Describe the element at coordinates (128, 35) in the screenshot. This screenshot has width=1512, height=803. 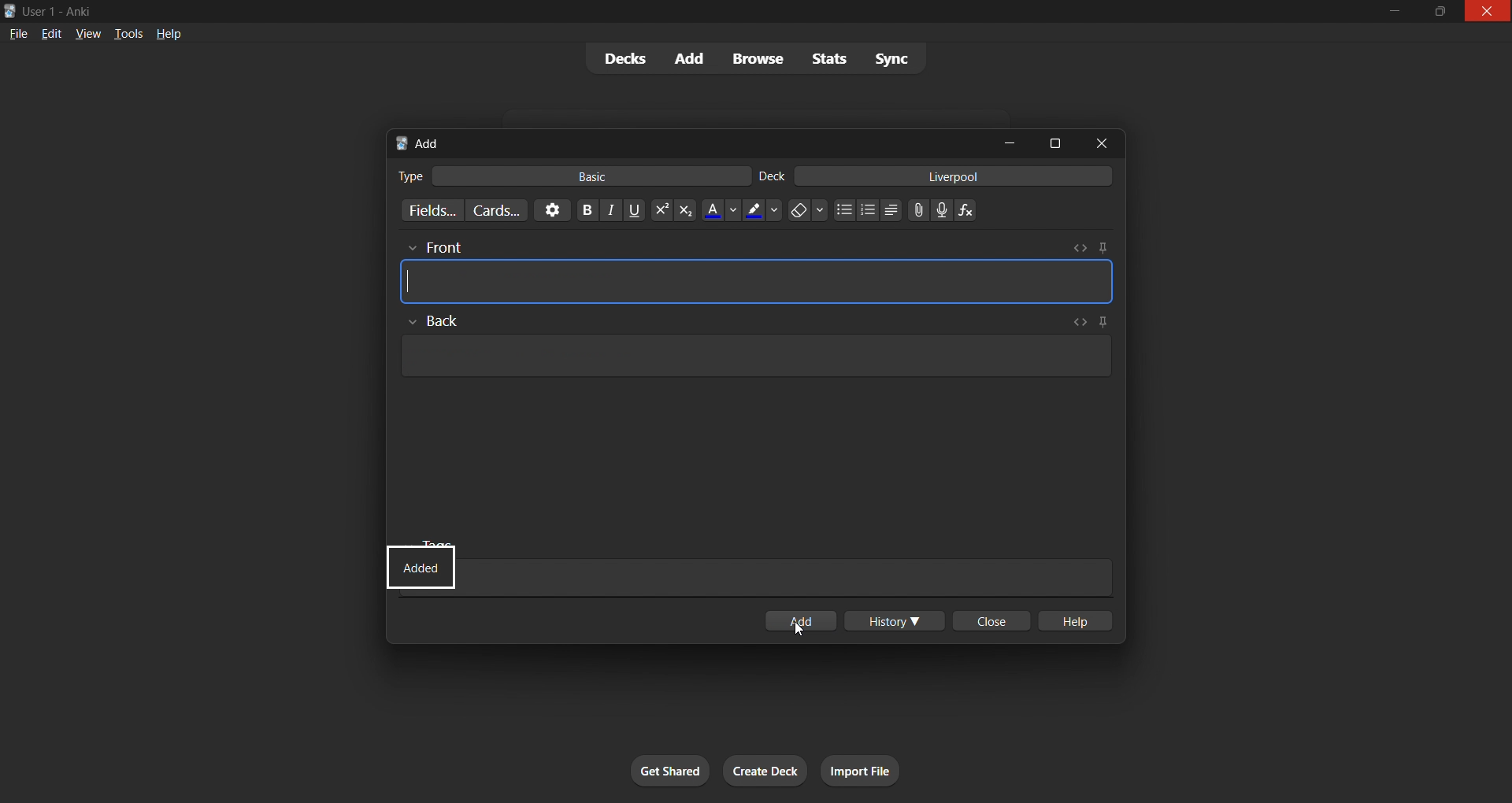
I see `tools` at that location.